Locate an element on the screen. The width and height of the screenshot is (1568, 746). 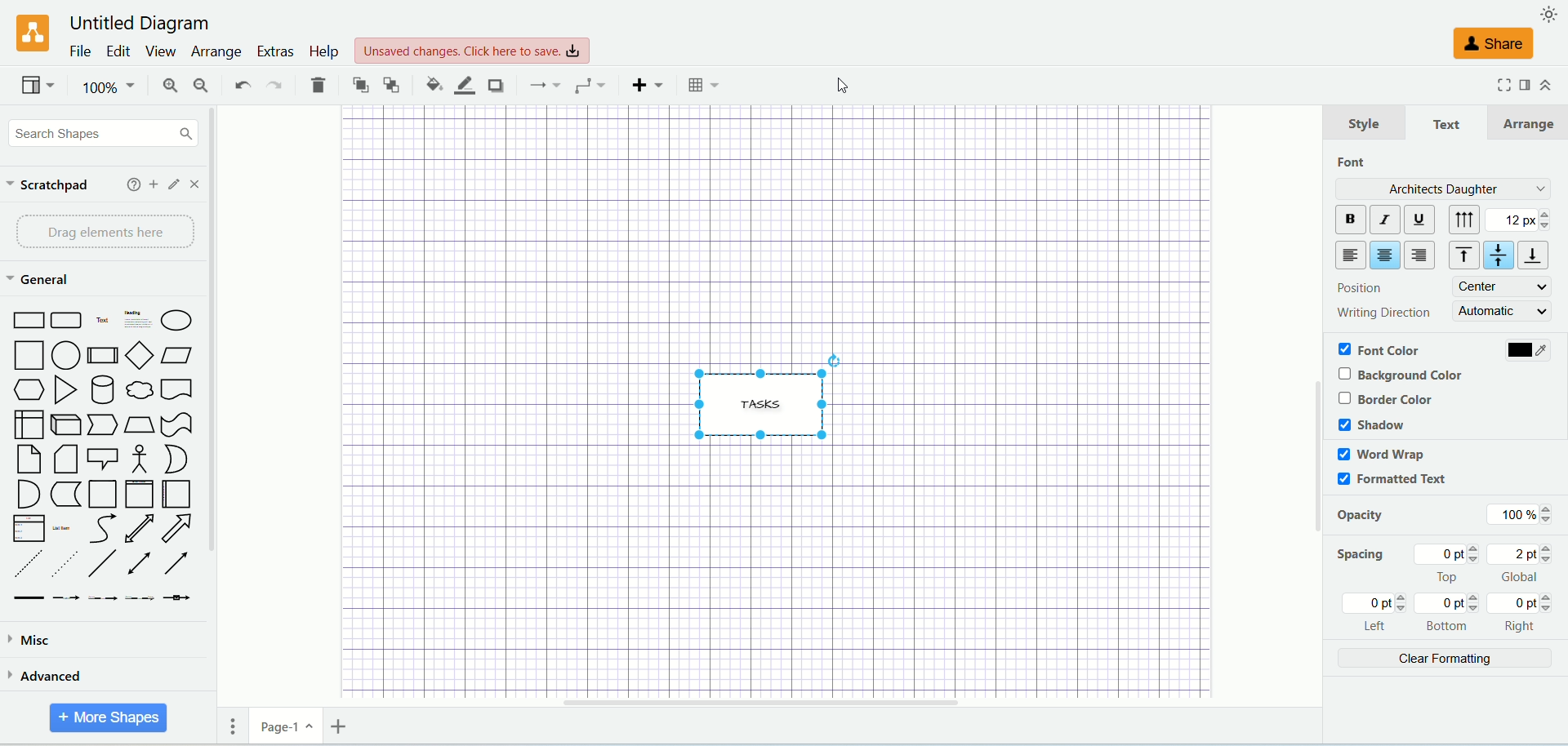
connection is located at coordinates (540, 85).